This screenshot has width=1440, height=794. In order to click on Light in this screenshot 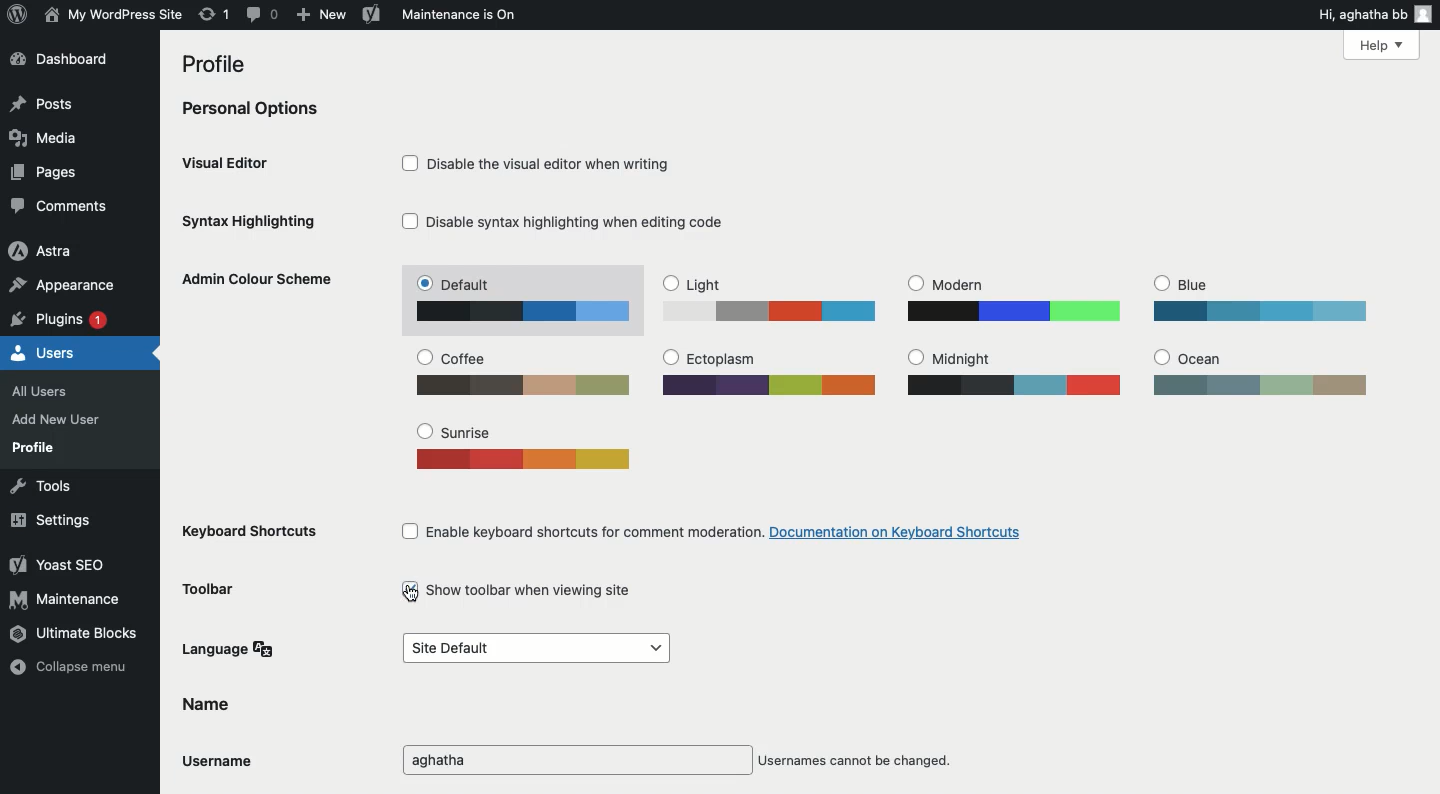, I will do `click(770, 300)`.